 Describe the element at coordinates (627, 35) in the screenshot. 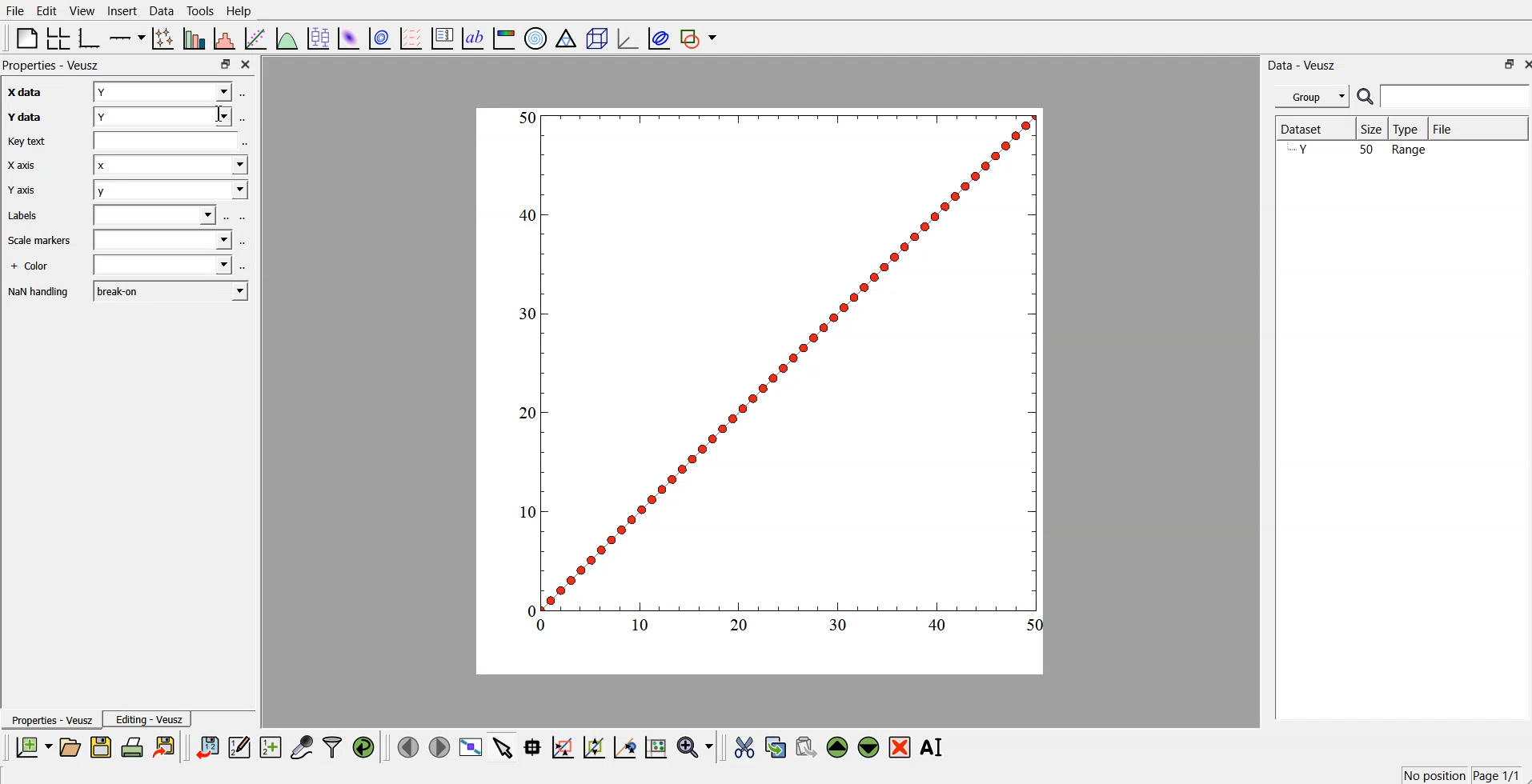

I see `3d graph` at that location.